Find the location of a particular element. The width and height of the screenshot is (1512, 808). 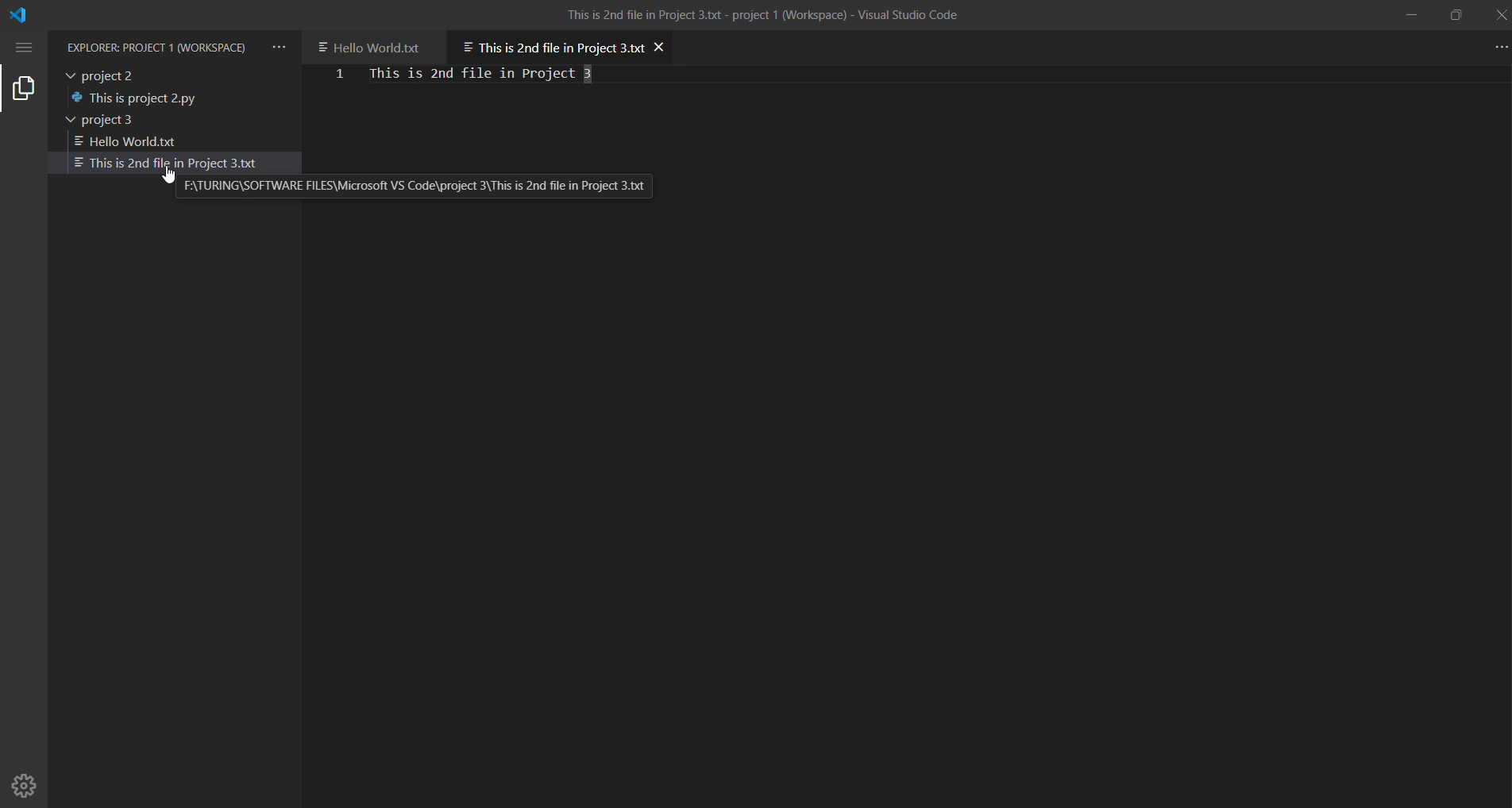

file locaton is located at coordinates (415, 188).